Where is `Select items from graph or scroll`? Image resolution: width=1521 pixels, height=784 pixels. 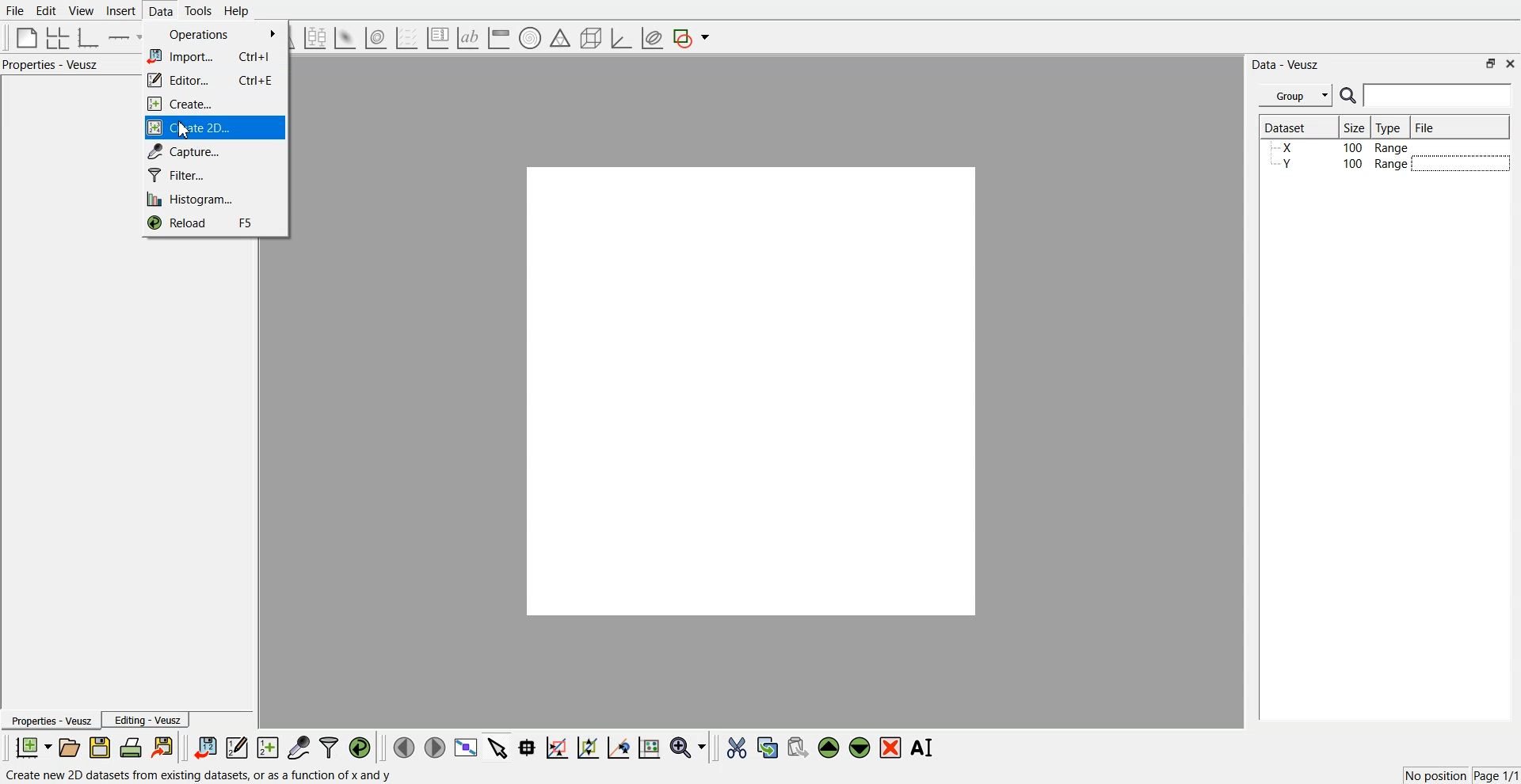 Select items from graph or scroll is located at coordinates (498, 746).